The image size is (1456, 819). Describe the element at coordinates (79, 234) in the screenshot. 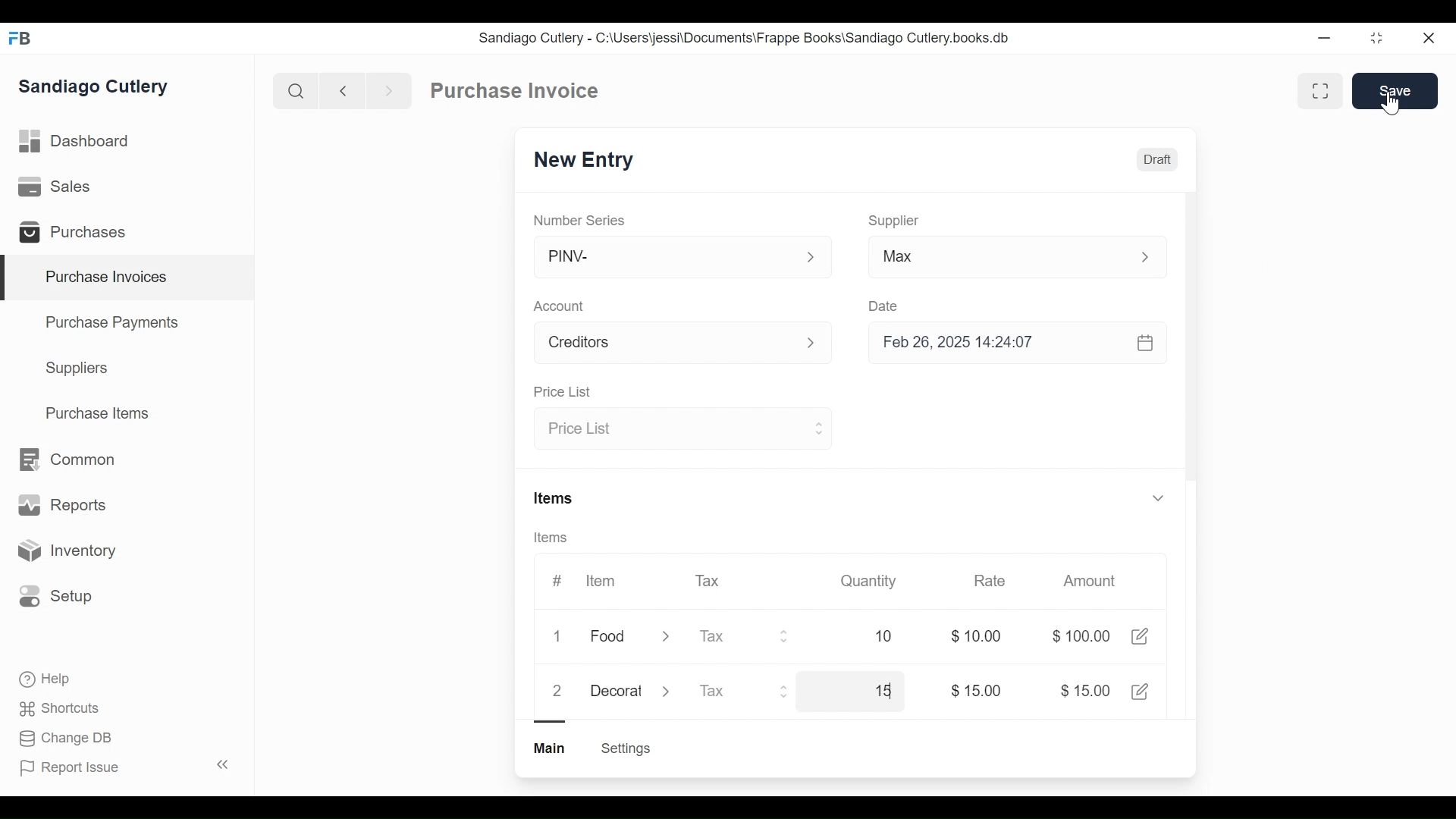

I see `Purchases` at that location.